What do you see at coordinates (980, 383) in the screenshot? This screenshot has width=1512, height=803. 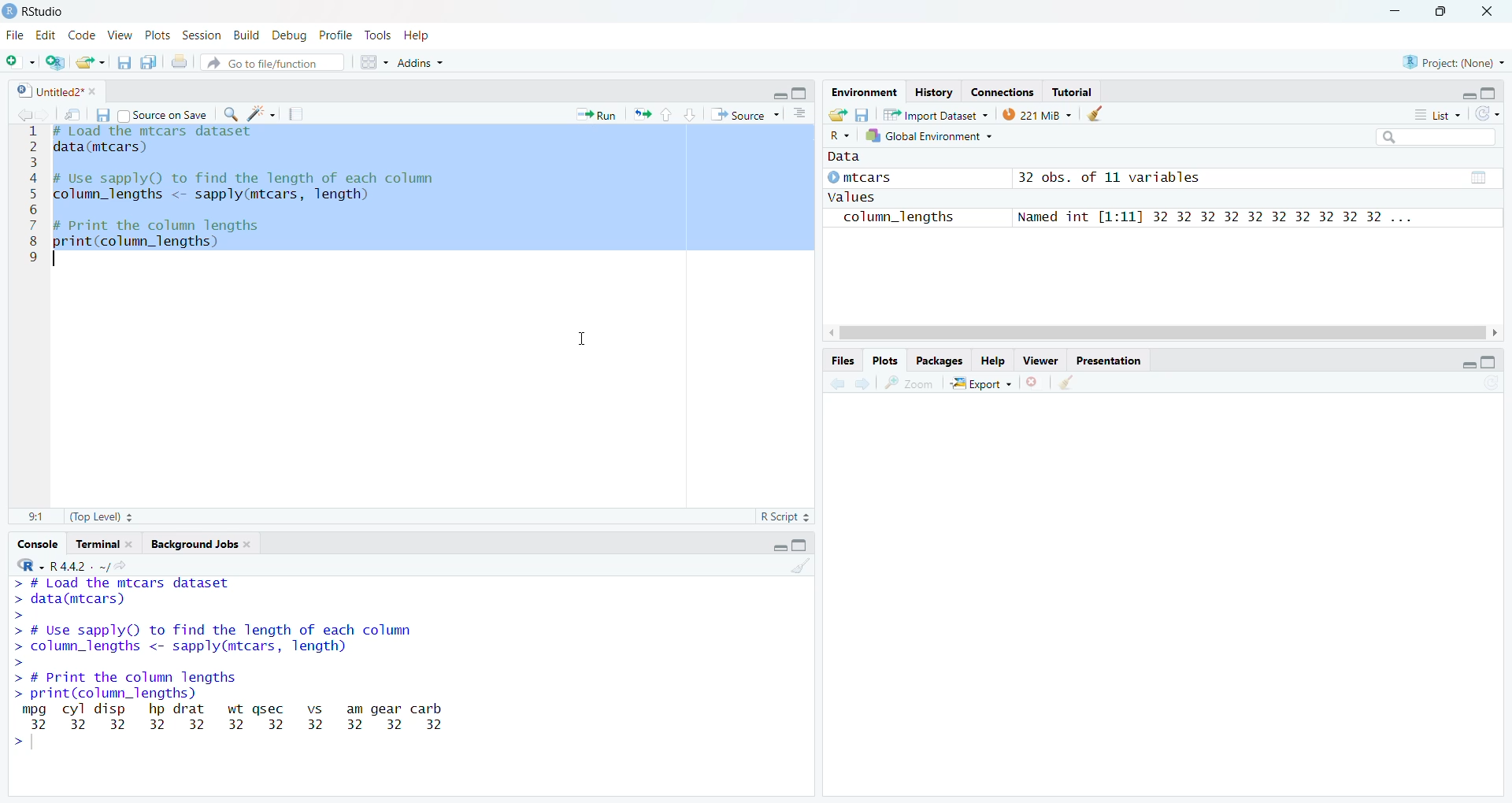 I see `Export` at bounding box center [980, 383].